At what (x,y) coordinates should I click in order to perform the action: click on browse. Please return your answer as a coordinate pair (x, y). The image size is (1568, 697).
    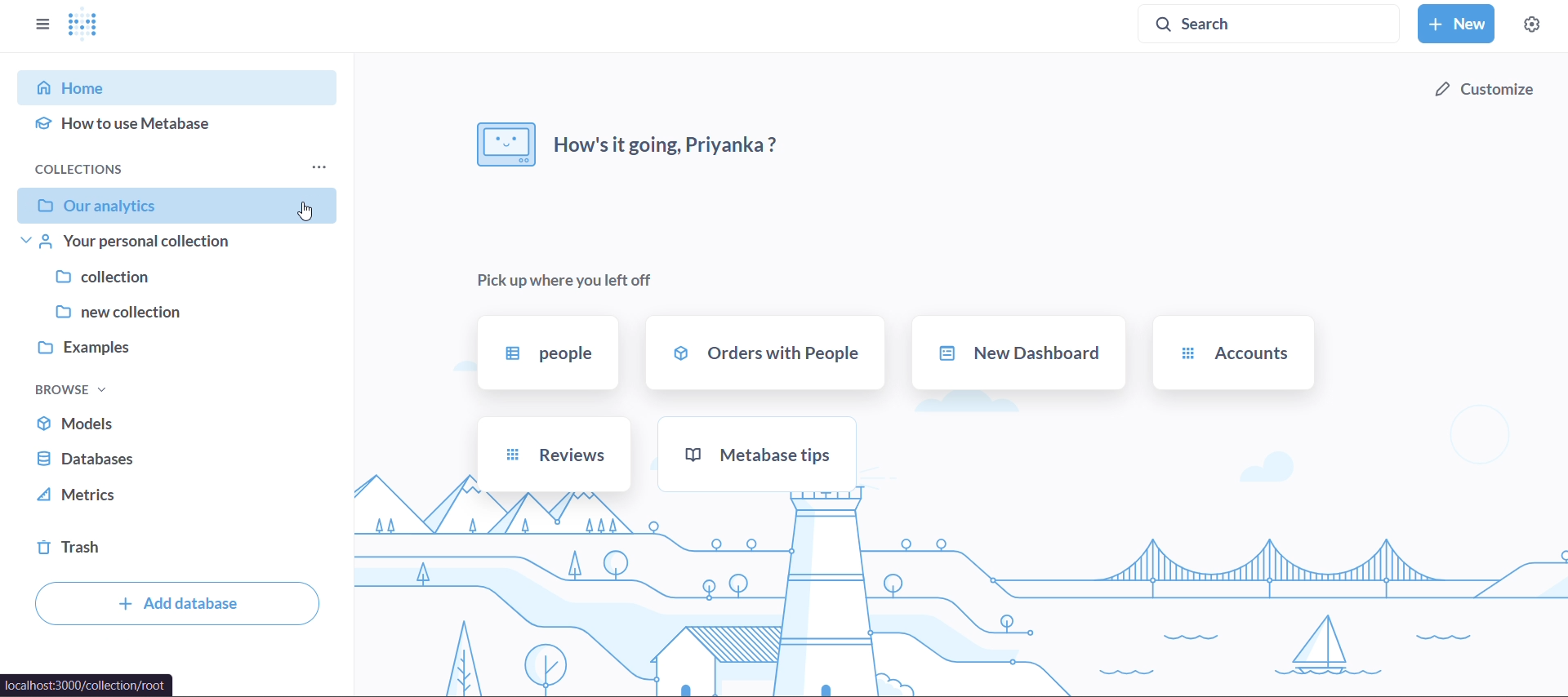
    Looking at the image, I should click on (69, 388).